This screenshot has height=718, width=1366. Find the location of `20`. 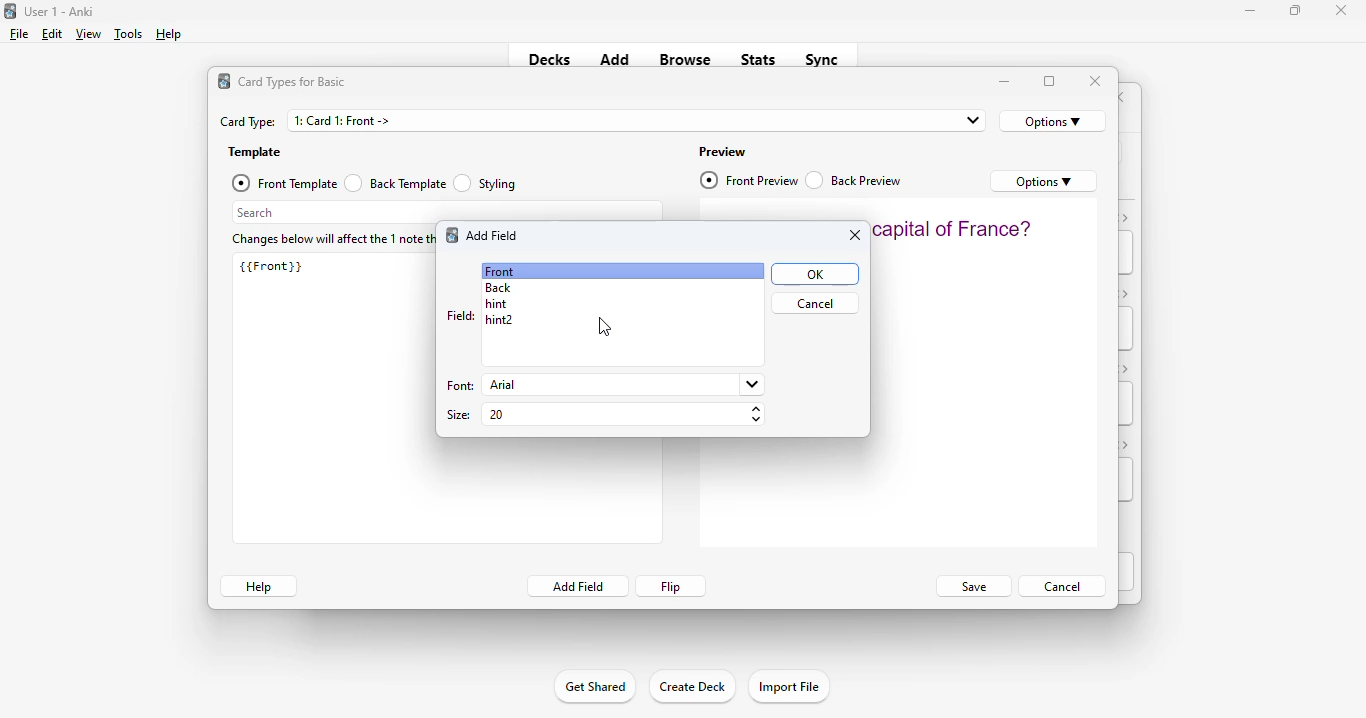

20 is located at coordinates (623, 413).